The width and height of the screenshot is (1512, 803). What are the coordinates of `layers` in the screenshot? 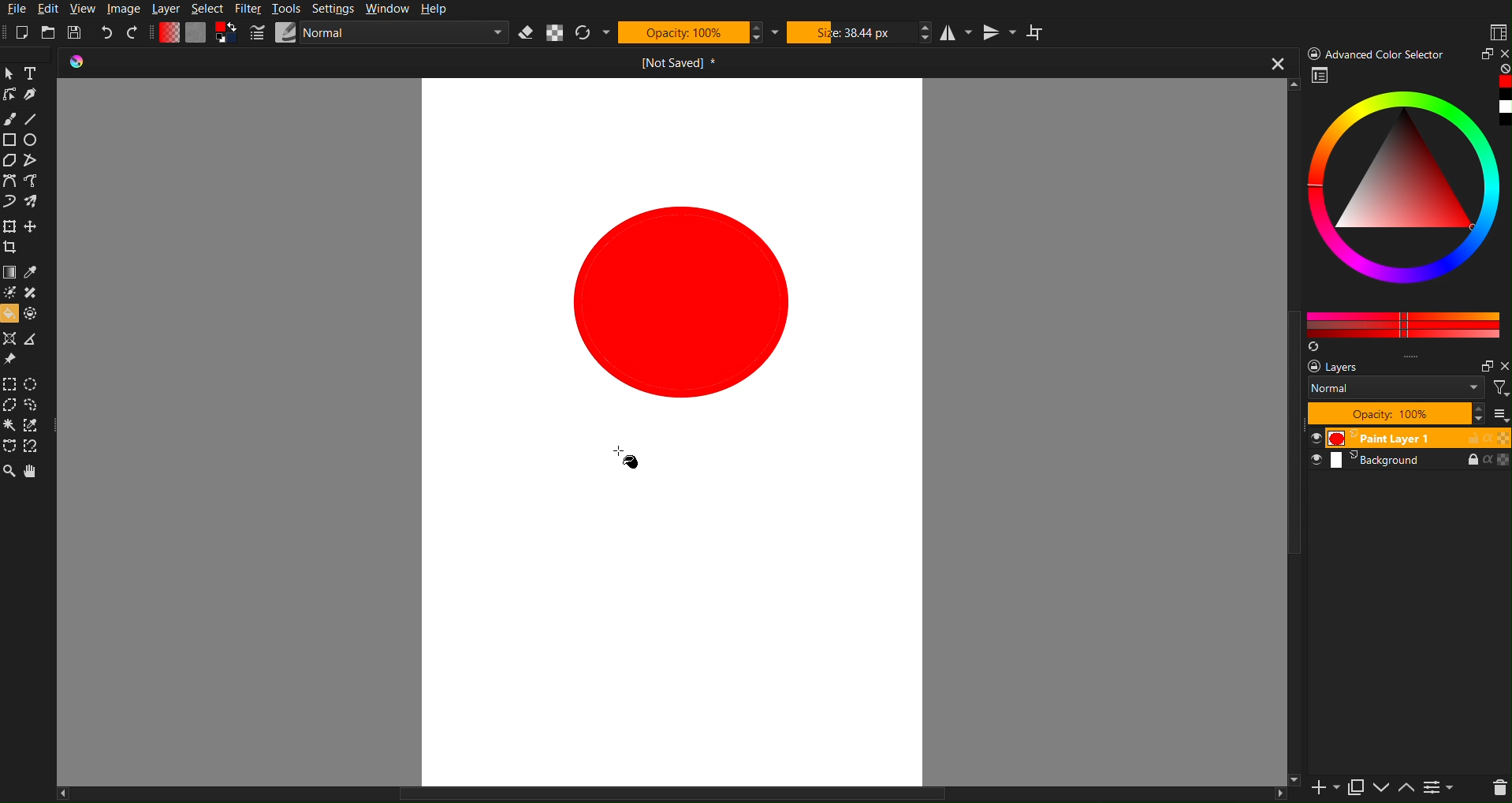 It's located at (1332, 365).